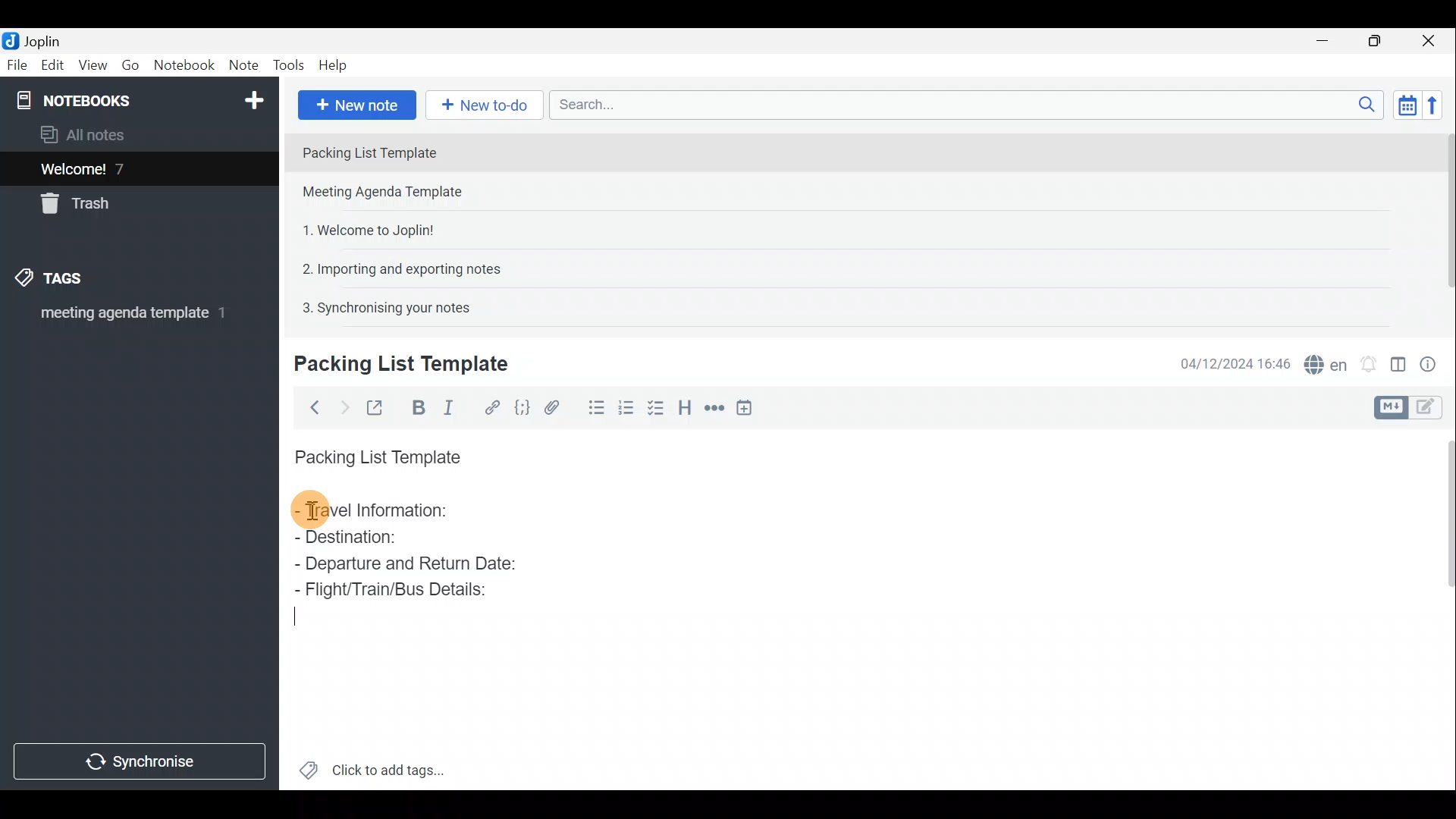 This screenshot has height=819, width=1456. I want to click on Set alarm, so click(1368, 360).